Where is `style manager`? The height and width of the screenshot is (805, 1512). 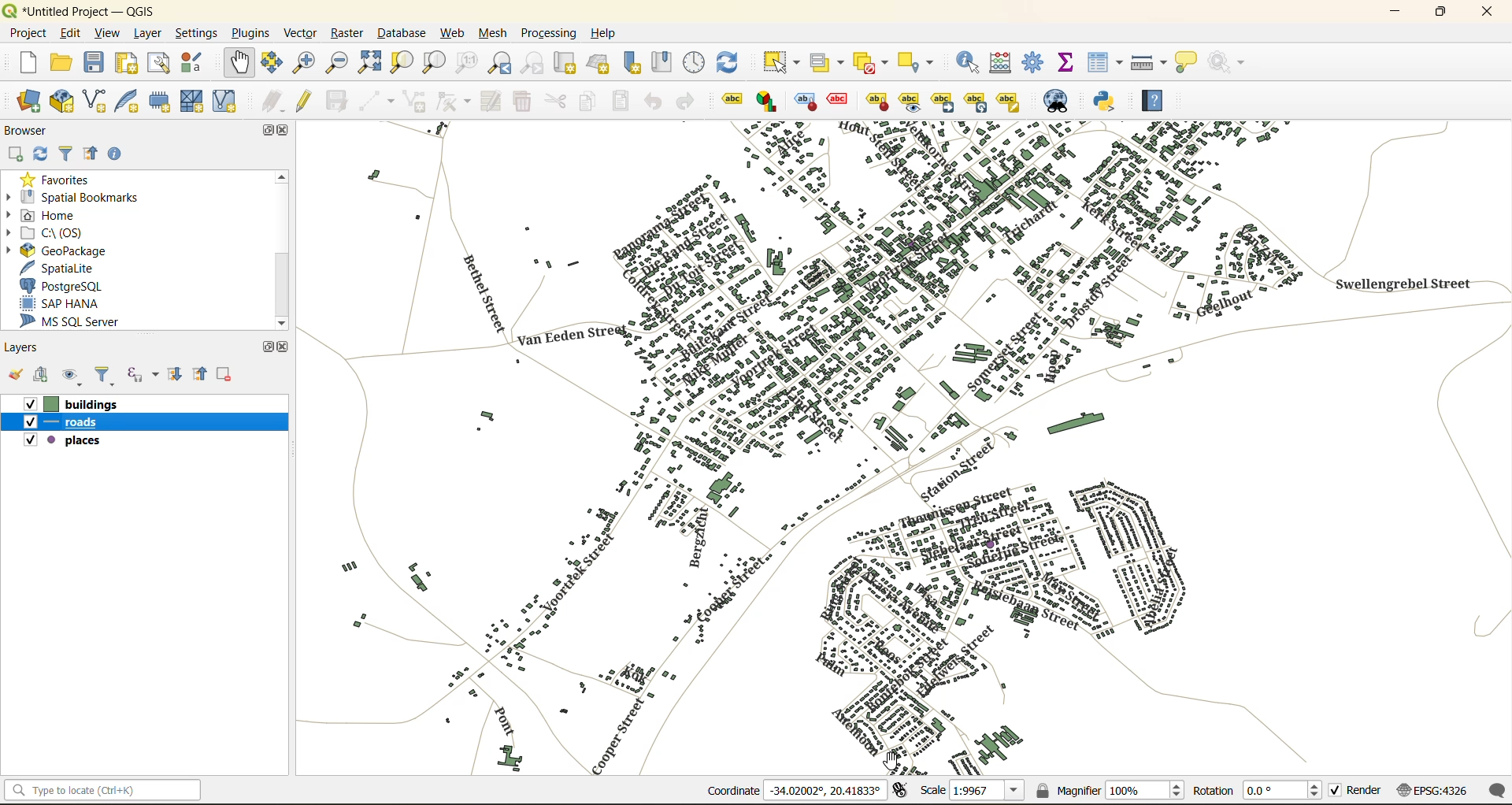
style manager is located at coordinates (198, 65).